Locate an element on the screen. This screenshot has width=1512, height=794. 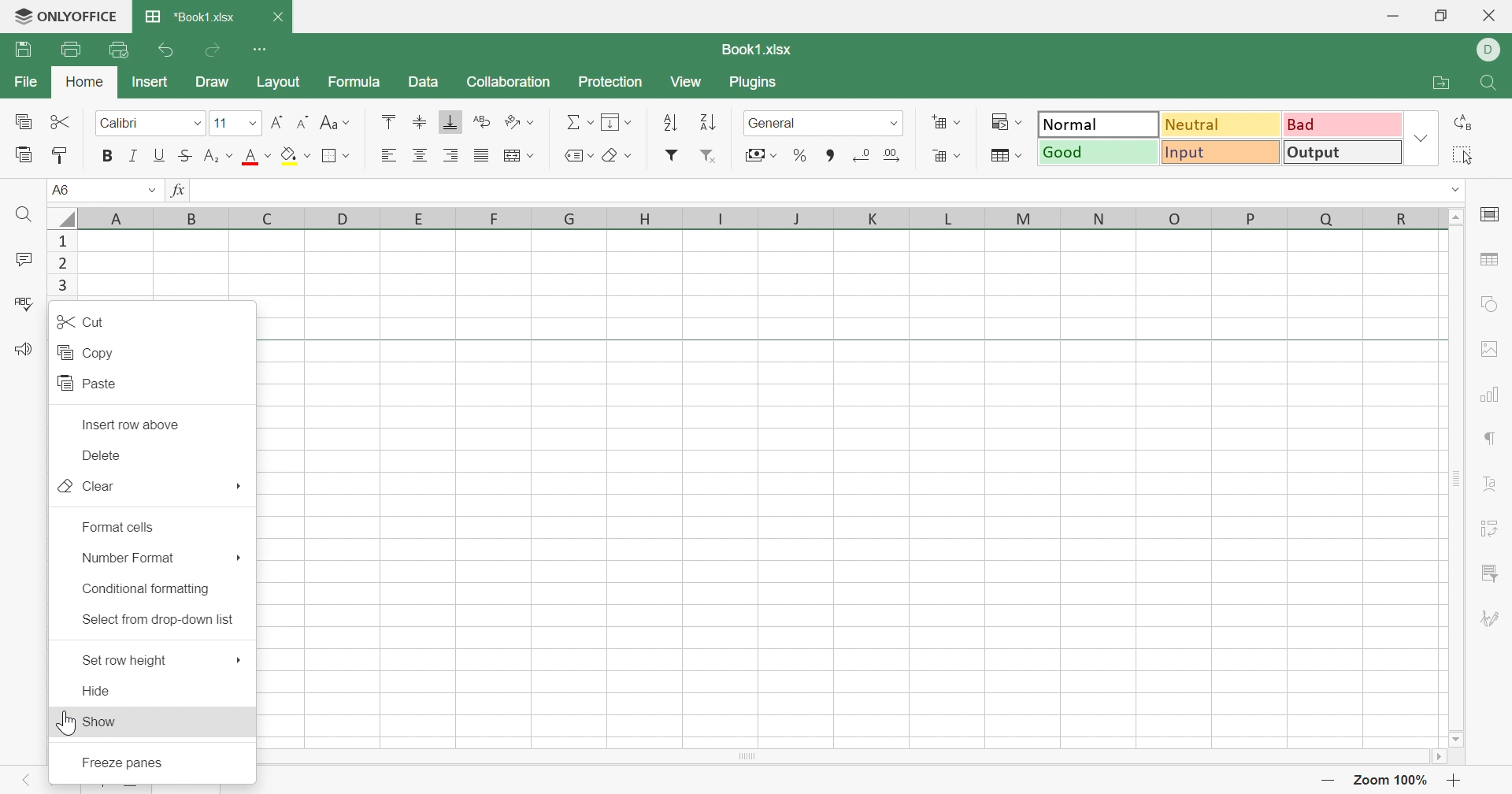
Row Number is located at coordinates (69, 266).